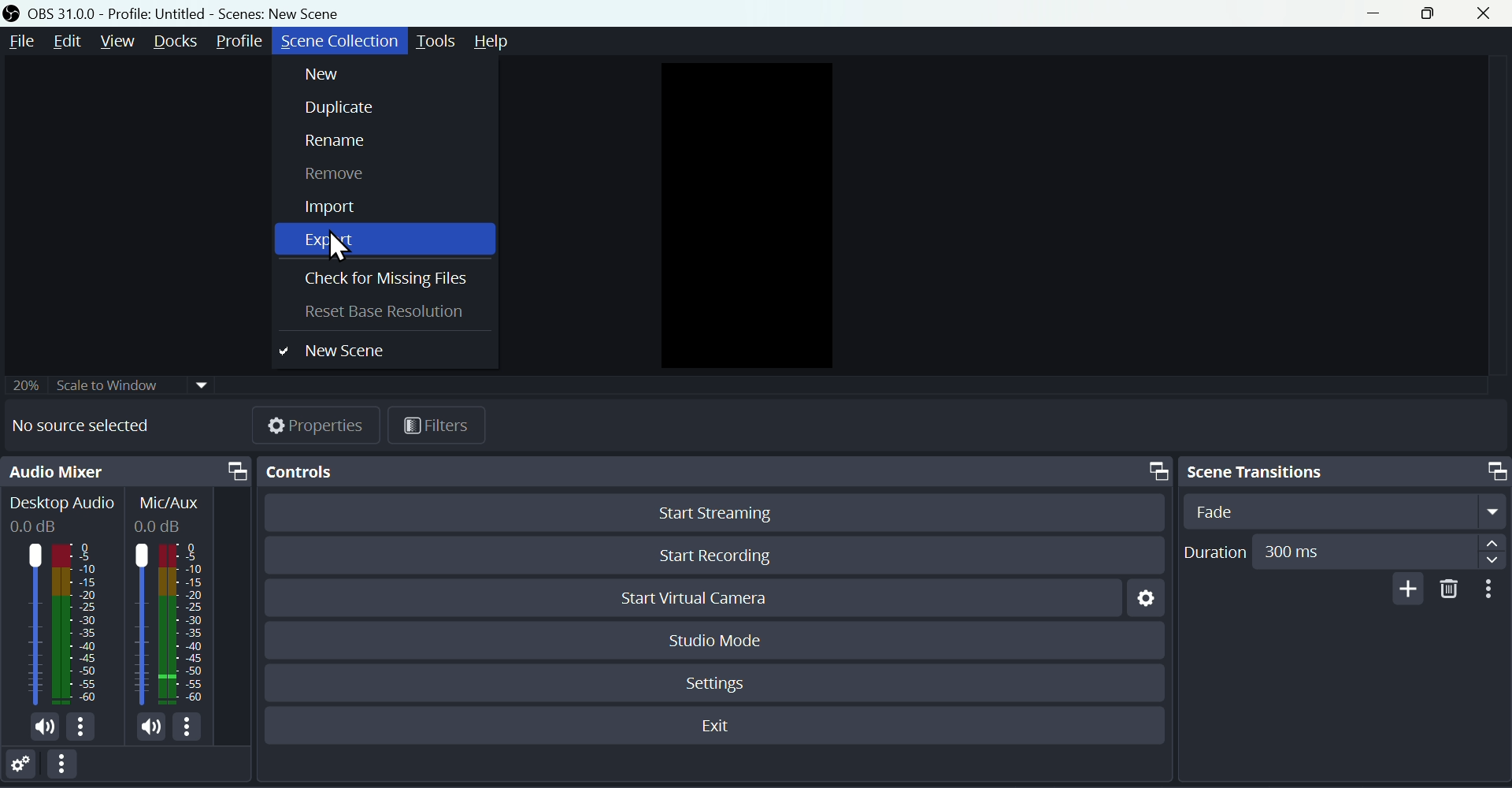 The image size is (1512, 788). Describe the element at coordinates (333, 147) in the screenshot. I see `Rename` at that location.